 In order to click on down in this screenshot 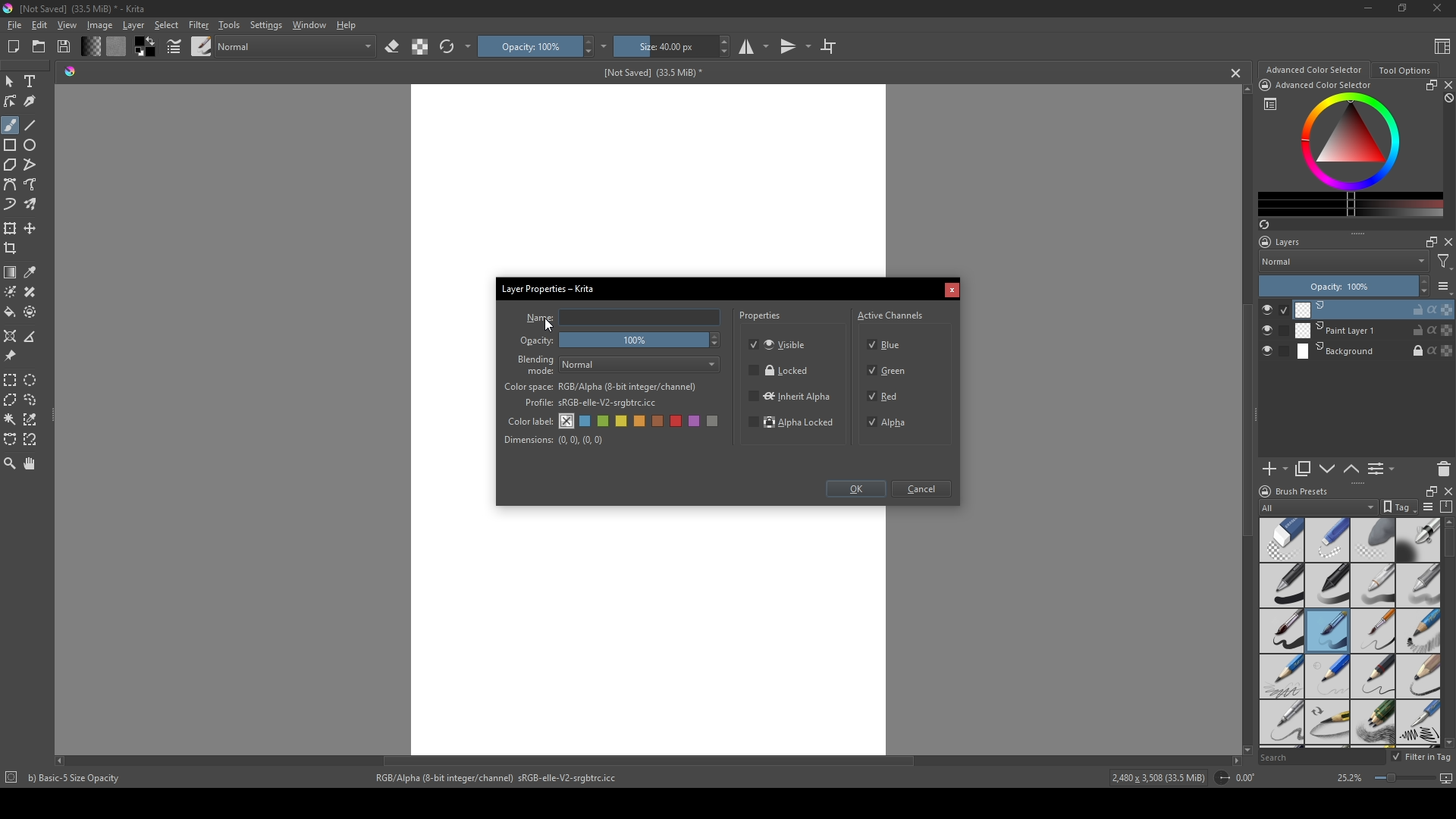, I will do `click(1327, 469)`.